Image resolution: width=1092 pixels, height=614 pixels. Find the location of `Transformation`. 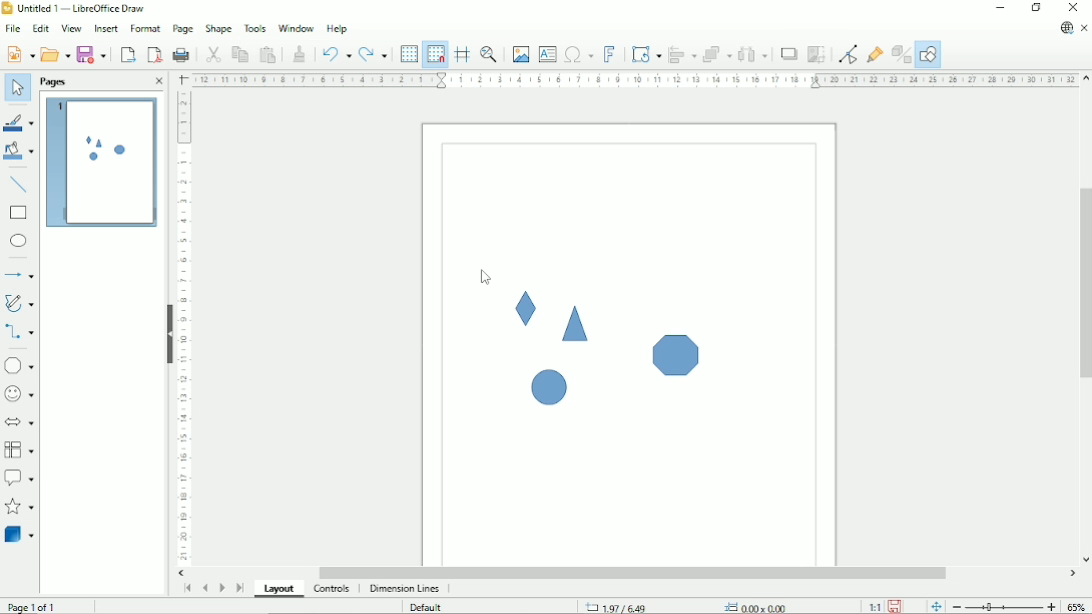

Transformation is located at coordinates (646, 54).